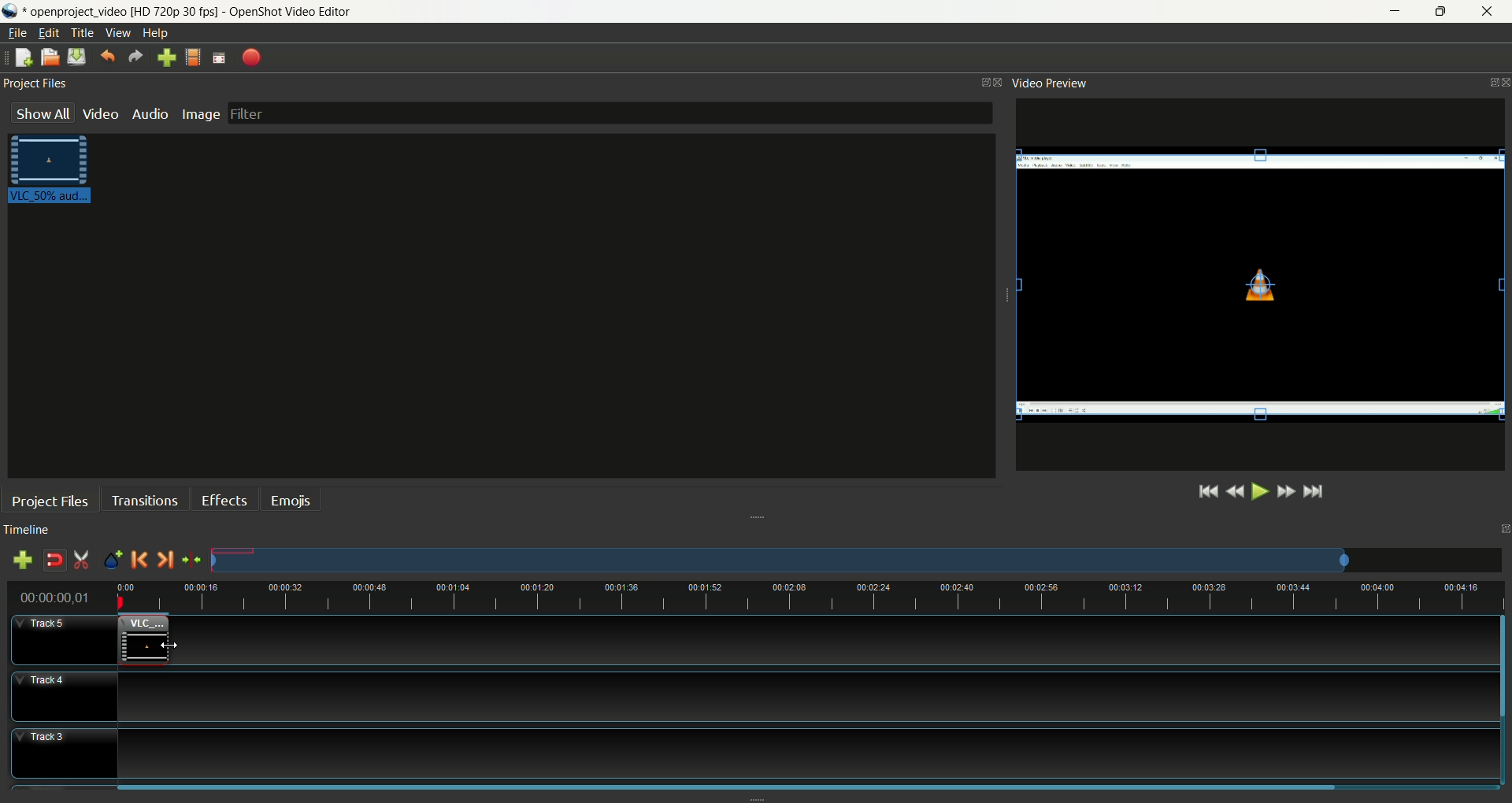 This screenshot has width=1512, height=803. What do you see at coordinates (83, 560) in the screenshot?
I see `enable razor` at bounding box center [83, 560].